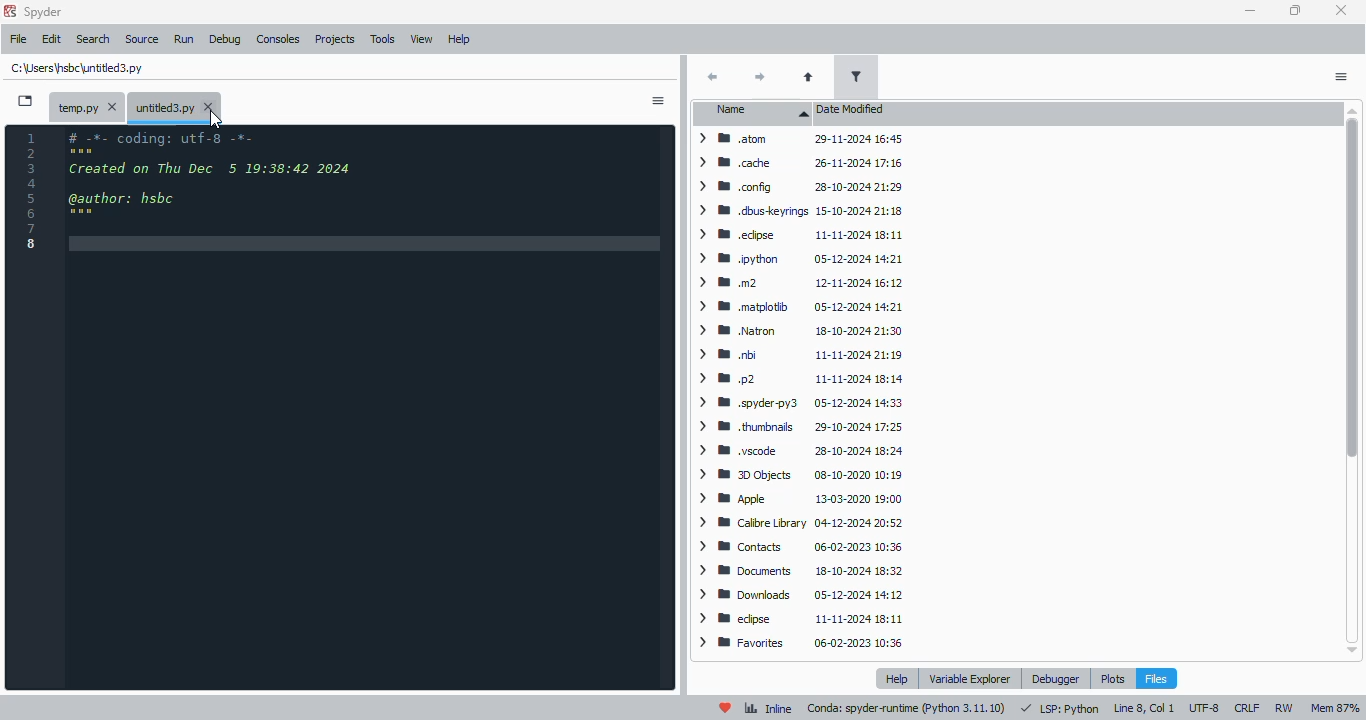 The width and height of the screenshot is (1366, 720). Describe the element at coordinates (184, 39) in the screenshot. I see `run` at that location.